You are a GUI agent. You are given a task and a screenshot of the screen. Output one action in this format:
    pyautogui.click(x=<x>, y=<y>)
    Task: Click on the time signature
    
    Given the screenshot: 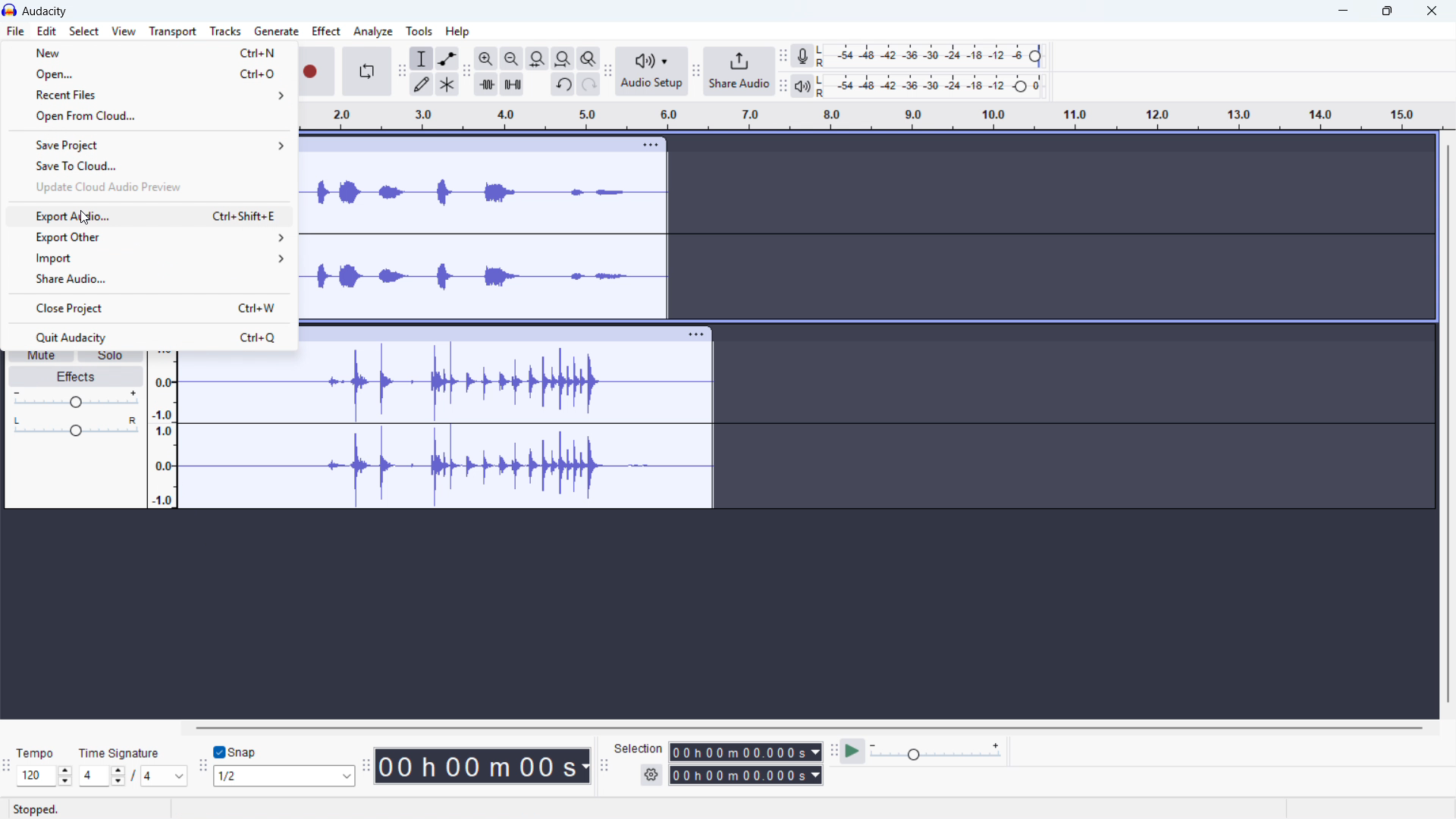 What is the action you would take?
    pyautogui.click(x=121, y=753)
    